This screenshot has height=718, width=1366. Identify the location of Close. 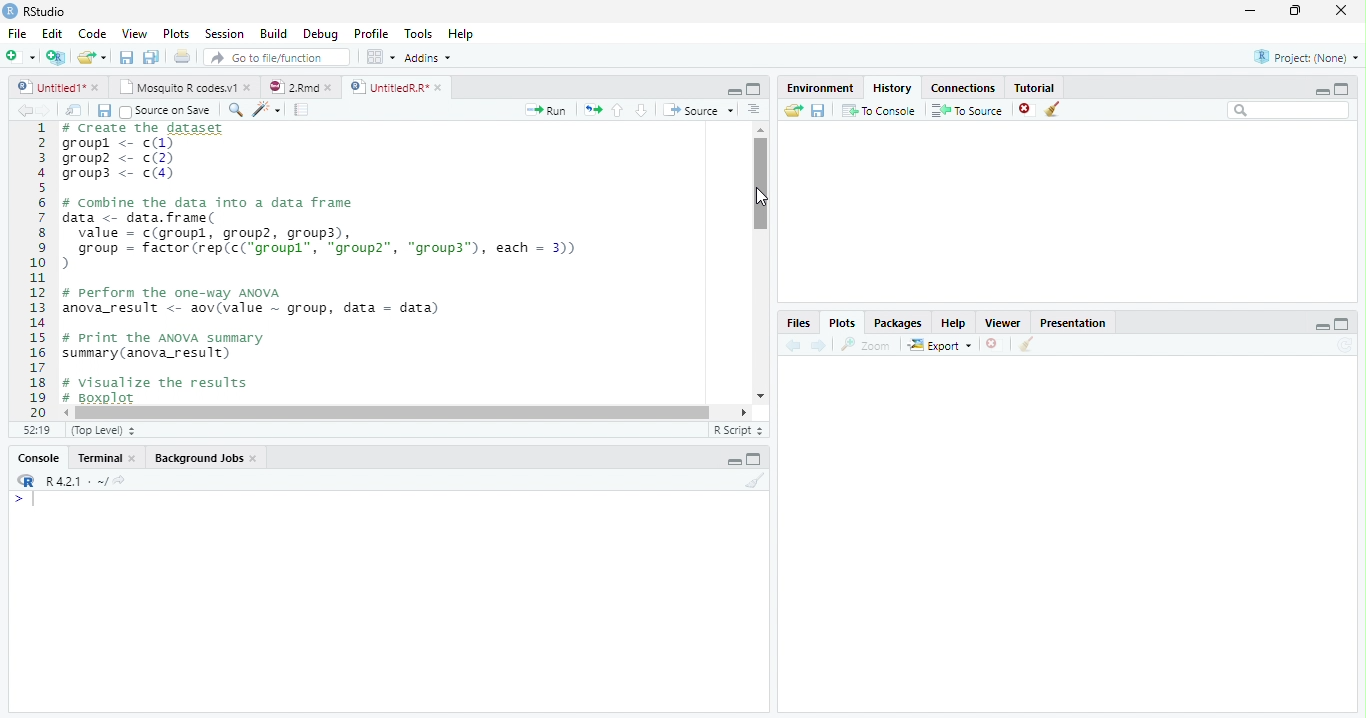
(1339, 12).